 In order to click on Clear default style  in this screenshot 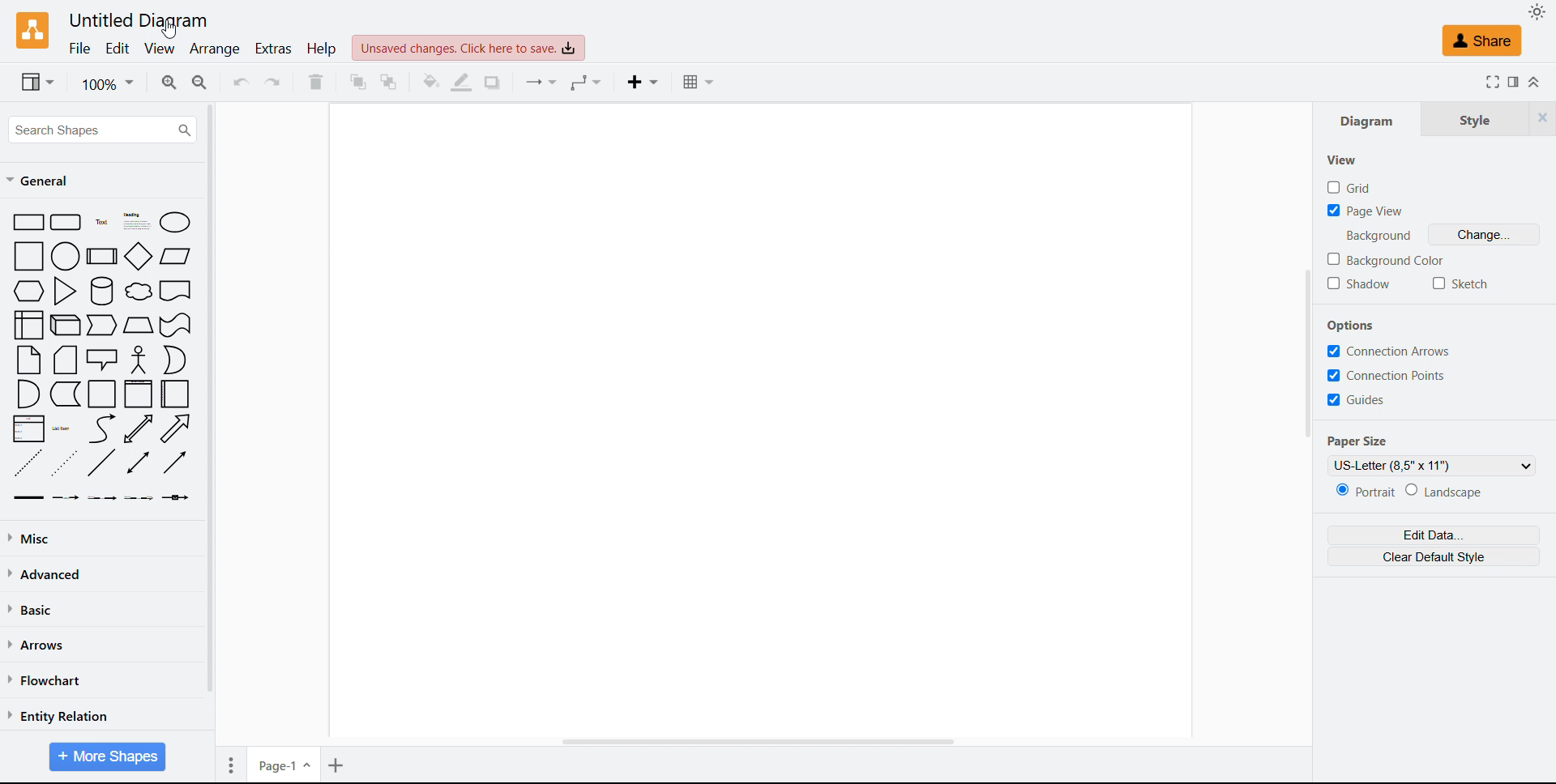, I will do `click(1433, 556)`.